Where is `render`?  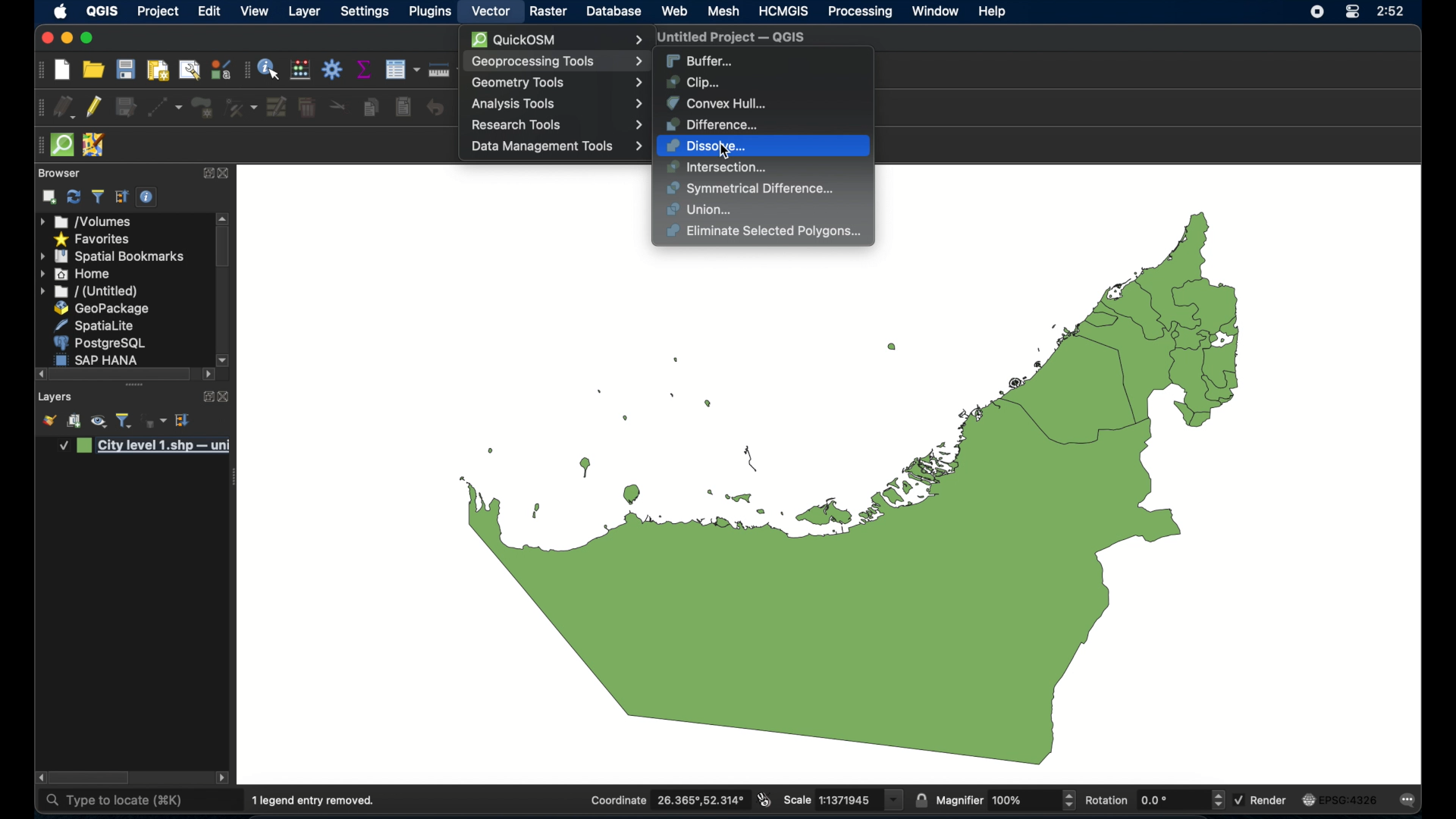
render is located at coordinates (1263, 800).